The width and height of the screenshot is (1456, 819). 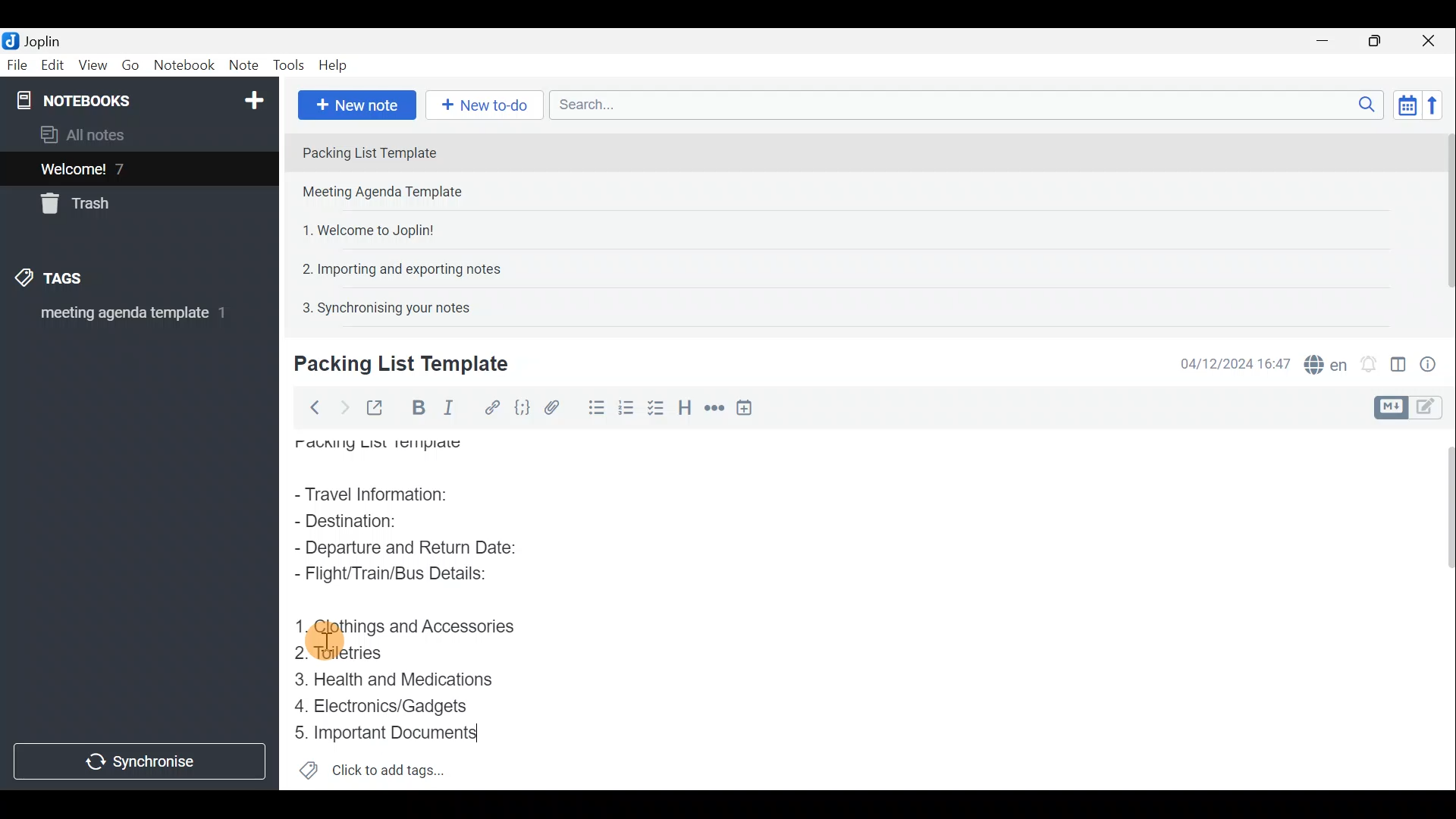 What do you see at coordinates (137, 99) in the screenshot?
I see `Notebook` at bounding box center [137, 99].